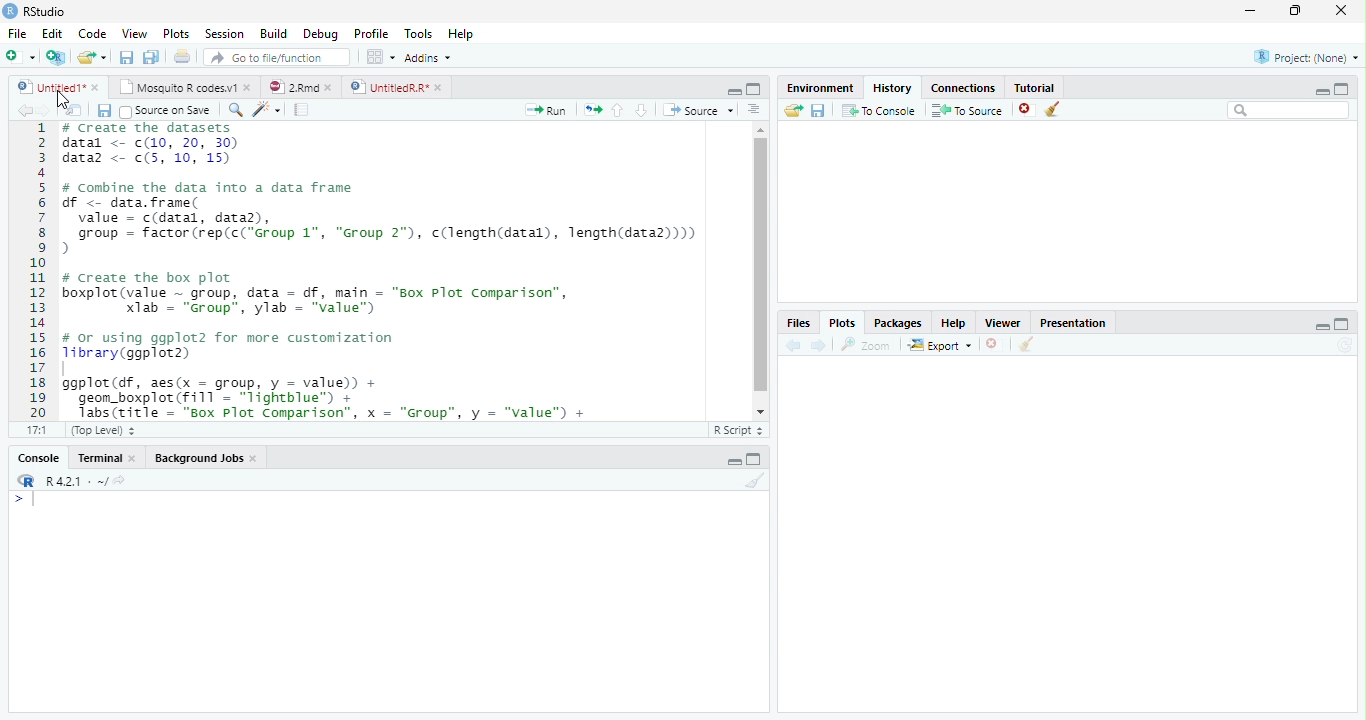  What do you see at coordinates (57, 56) in the screenshot?
I see `Create a project` at bounding box center [57, 56].